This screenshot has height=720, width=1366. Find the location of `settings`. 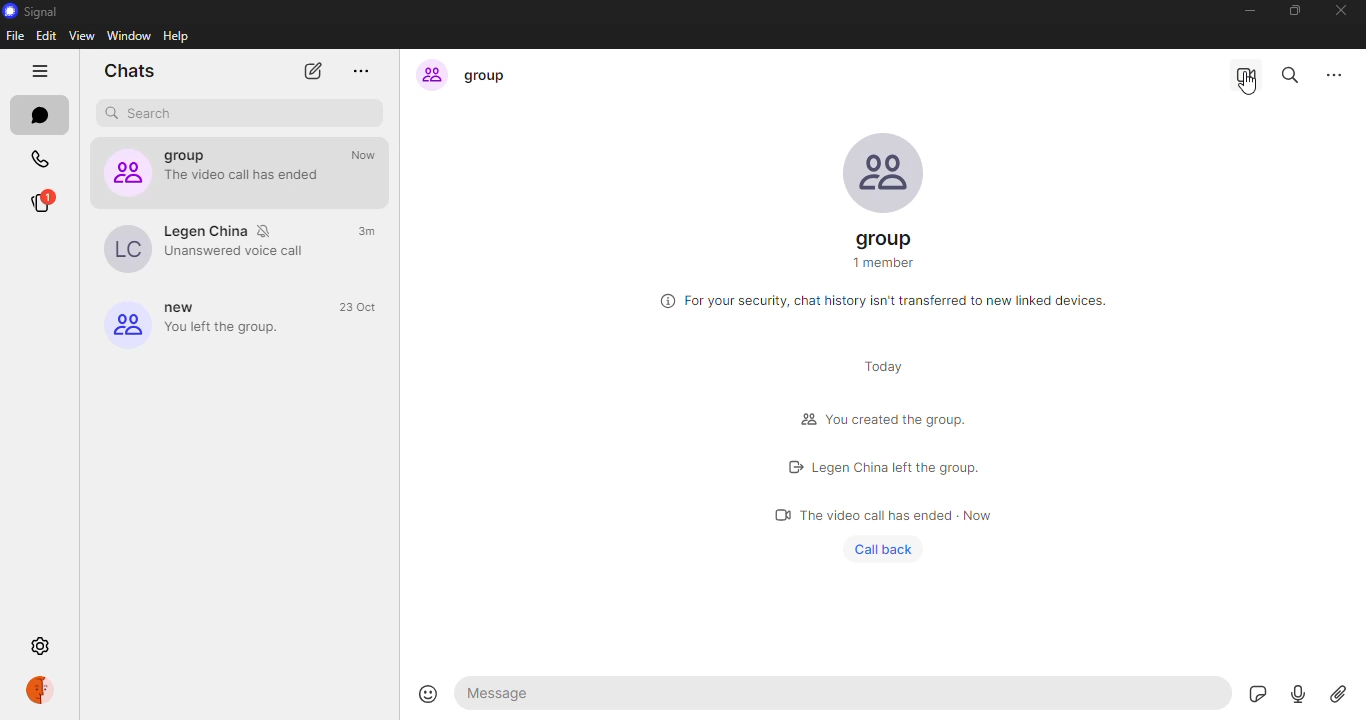

settings is located at coordinates (38, 647).